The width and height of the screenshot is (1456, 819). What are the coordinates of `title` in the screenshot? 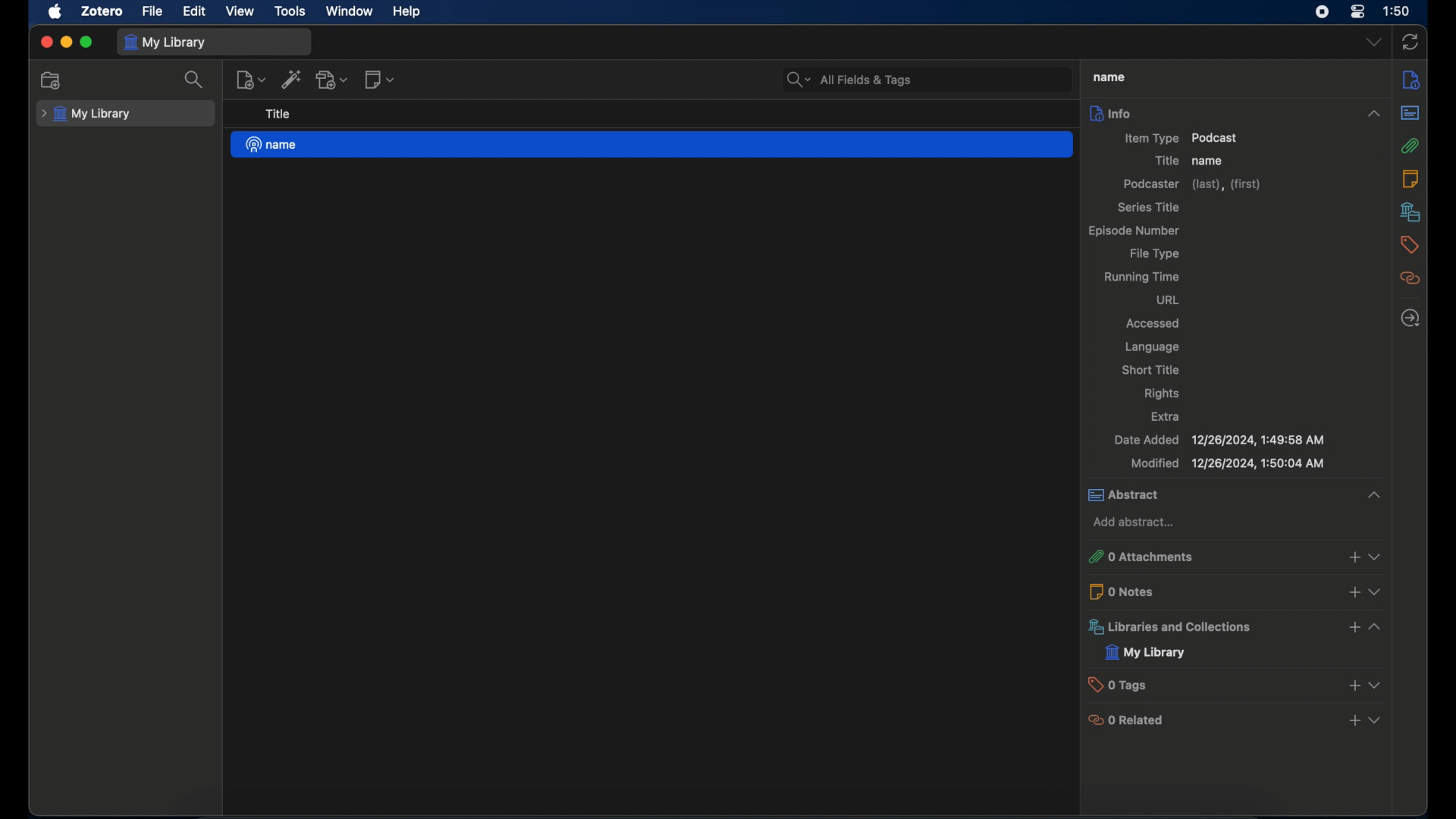 It's located at (1165, 160).